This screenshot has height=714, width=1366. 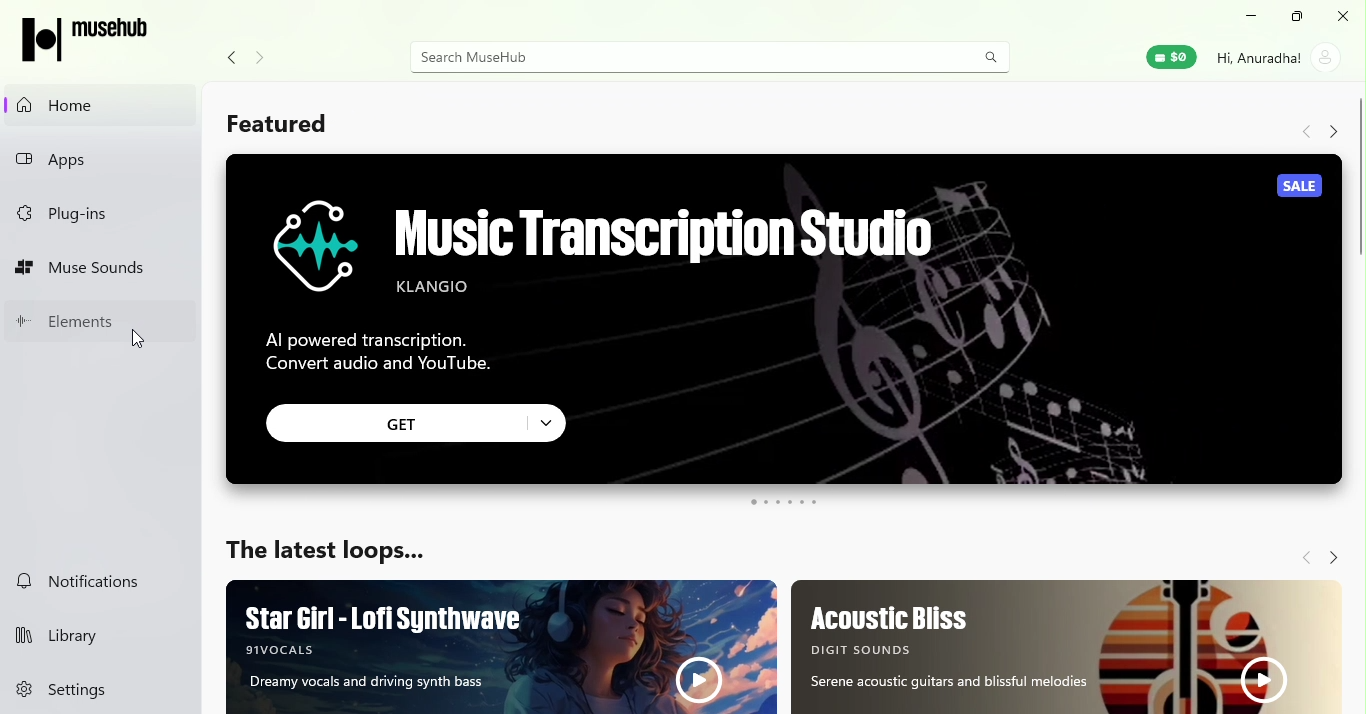 What do you see at coordinates (1302, 560) in the screenshot?
I see `Navigate back` at bounding box center [1302, 560].